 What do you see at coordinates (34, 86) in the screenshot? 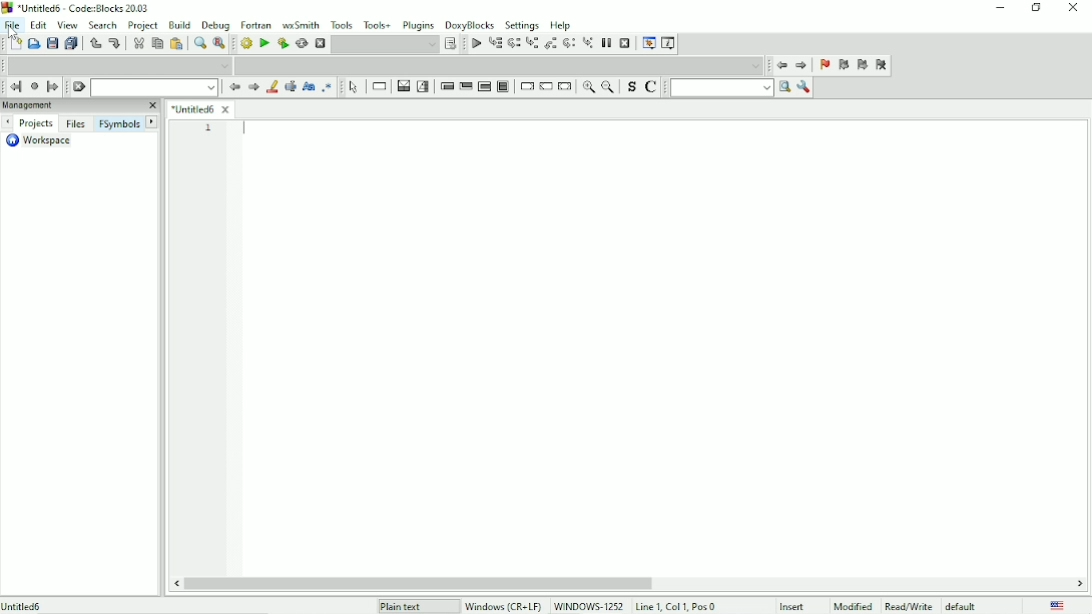
I see `Last jump` at bounding box center [34, 86].